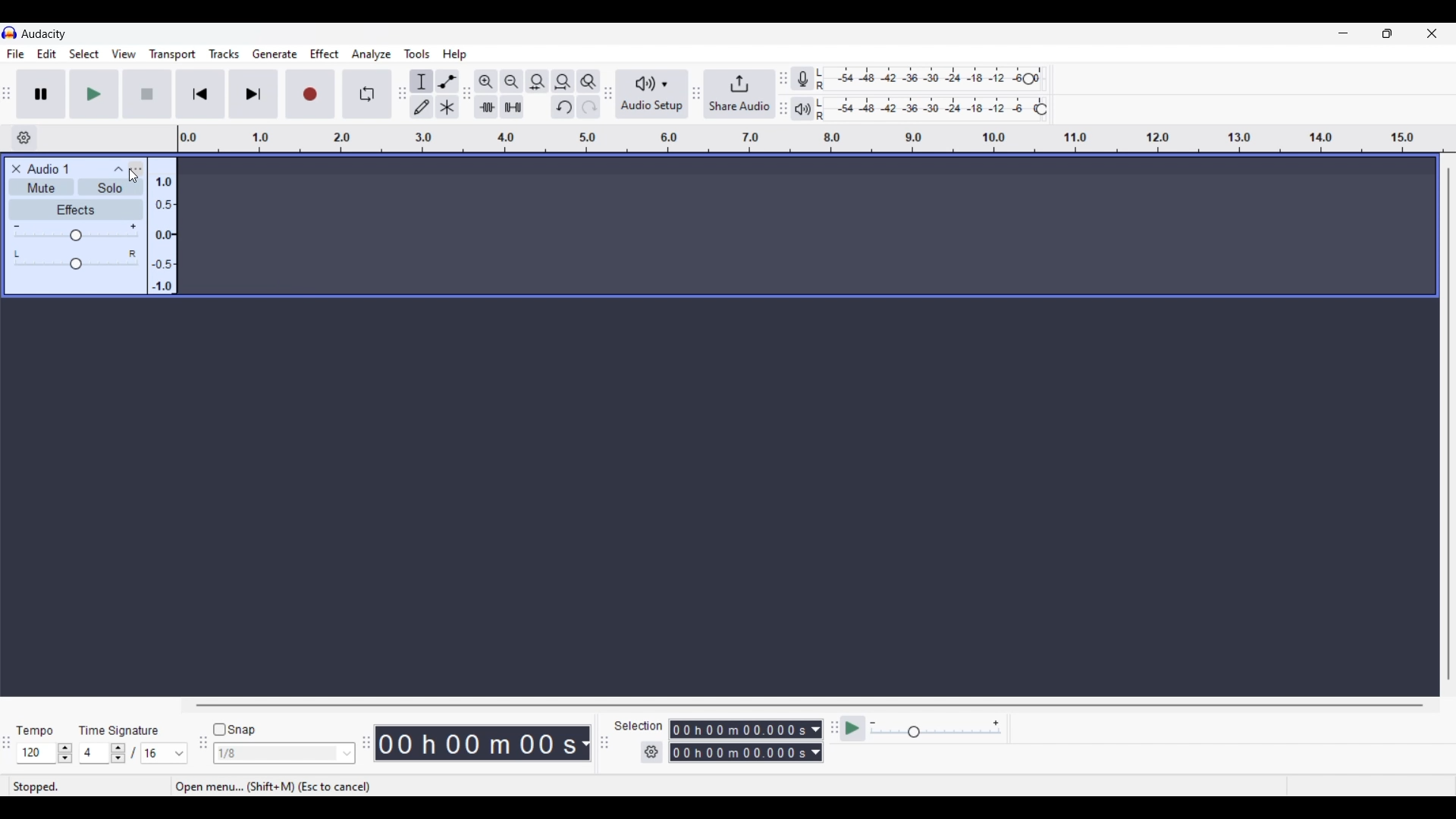 The width and height of the screenshot is (1456, 819). Describe the element at coordinates (224, 54) in the screenshot. I see `Tracks menu` at that location.